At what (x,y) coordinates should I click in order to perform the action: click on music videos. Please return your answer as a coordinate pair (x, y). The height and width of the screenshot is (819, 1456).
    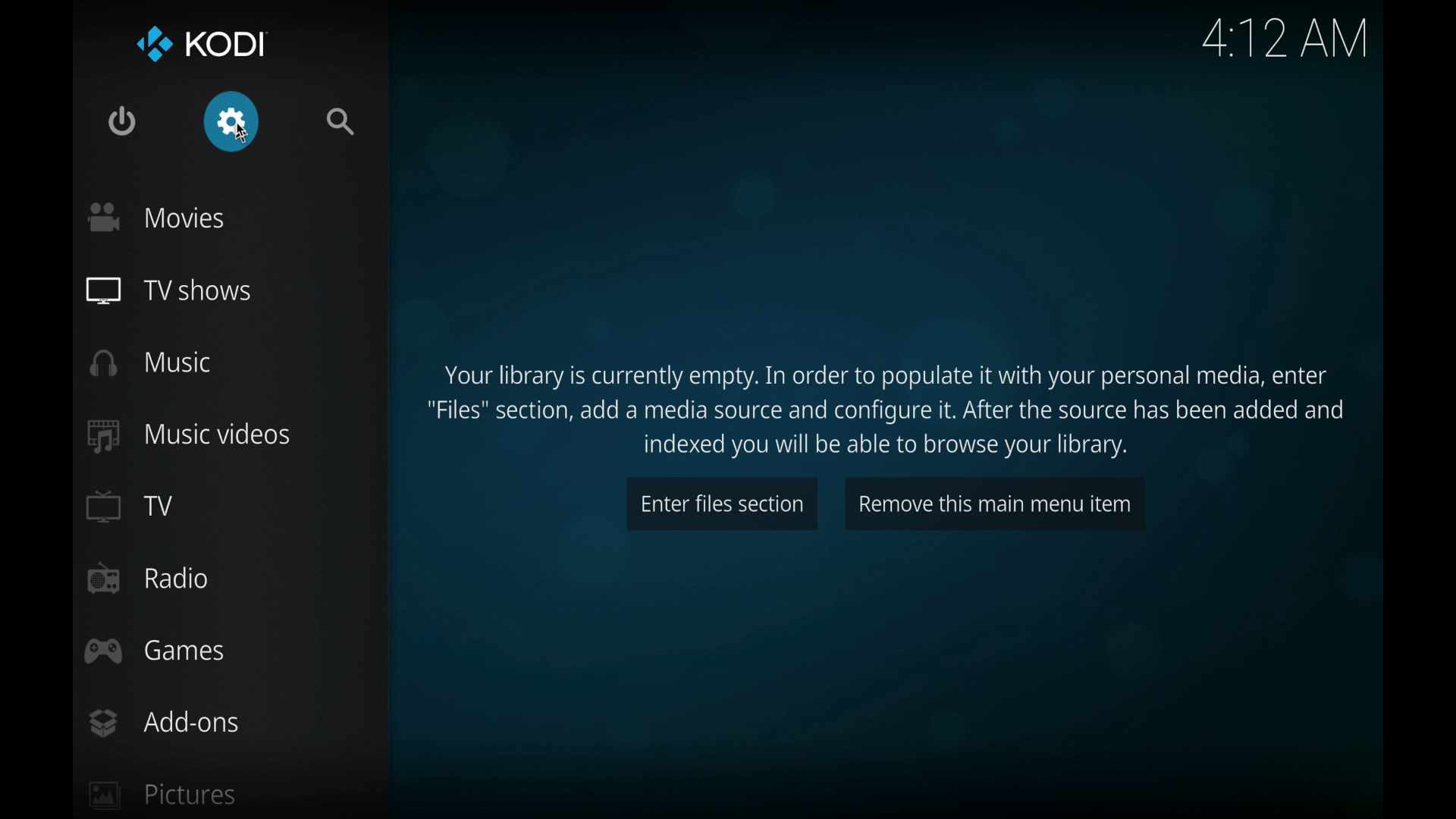
    Looking at the image, I should click on (191, 435).